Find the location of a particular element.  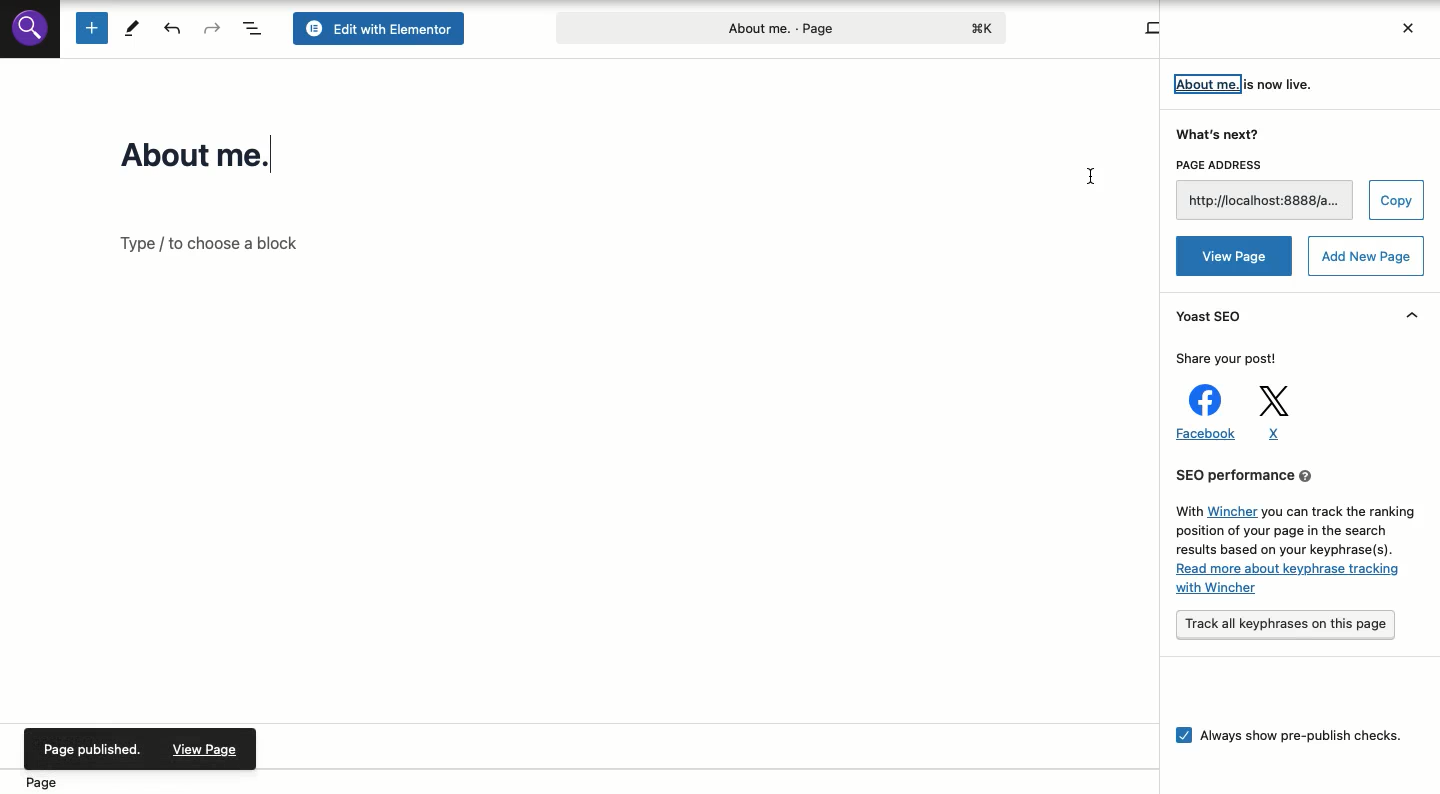

Document overview is located at coordinates (254, 28).